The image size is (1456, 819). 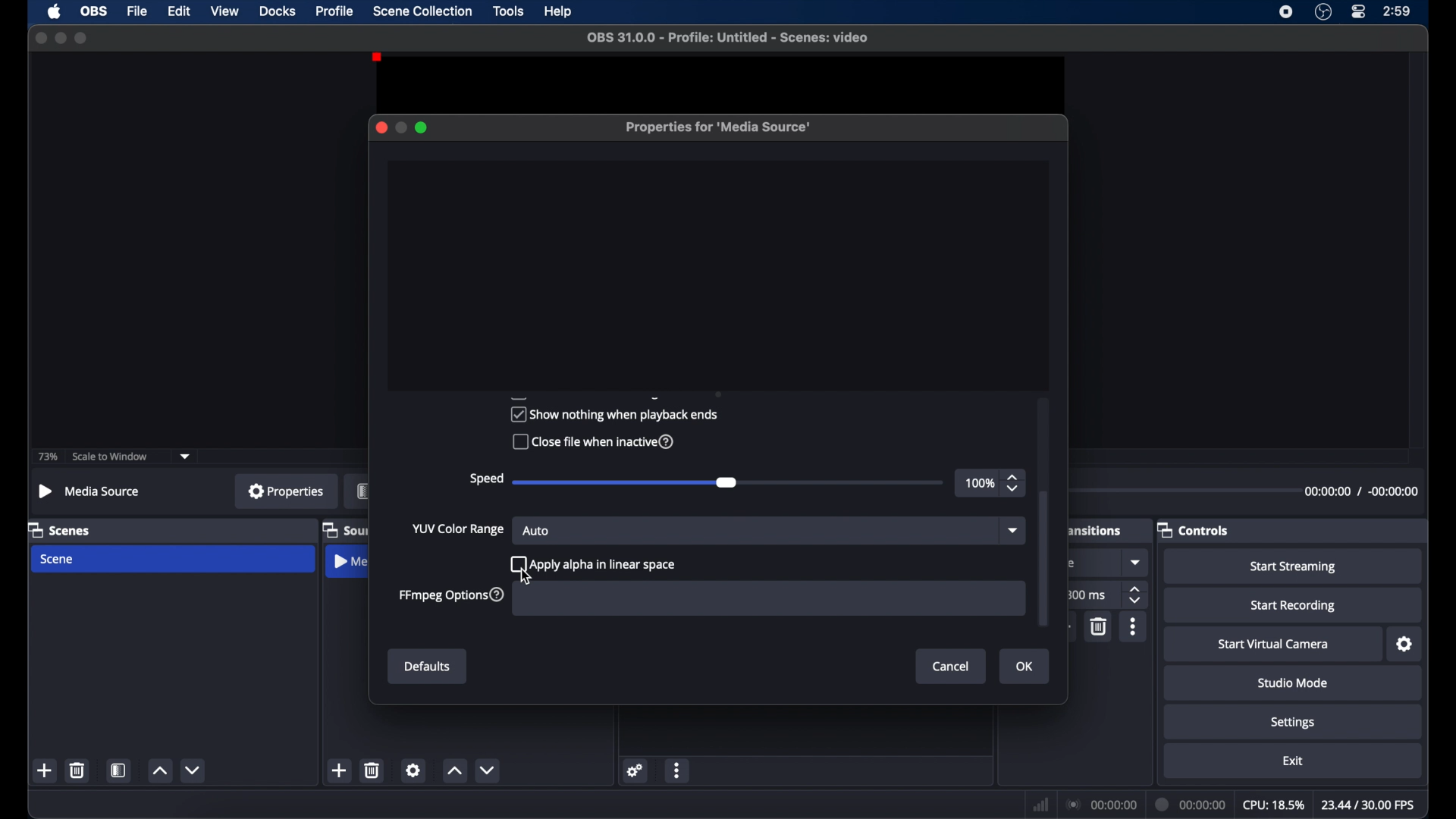 What do you see at coordinates (728, 483) in the screenshot?
I see `slider` at bounding box center [728, 483].